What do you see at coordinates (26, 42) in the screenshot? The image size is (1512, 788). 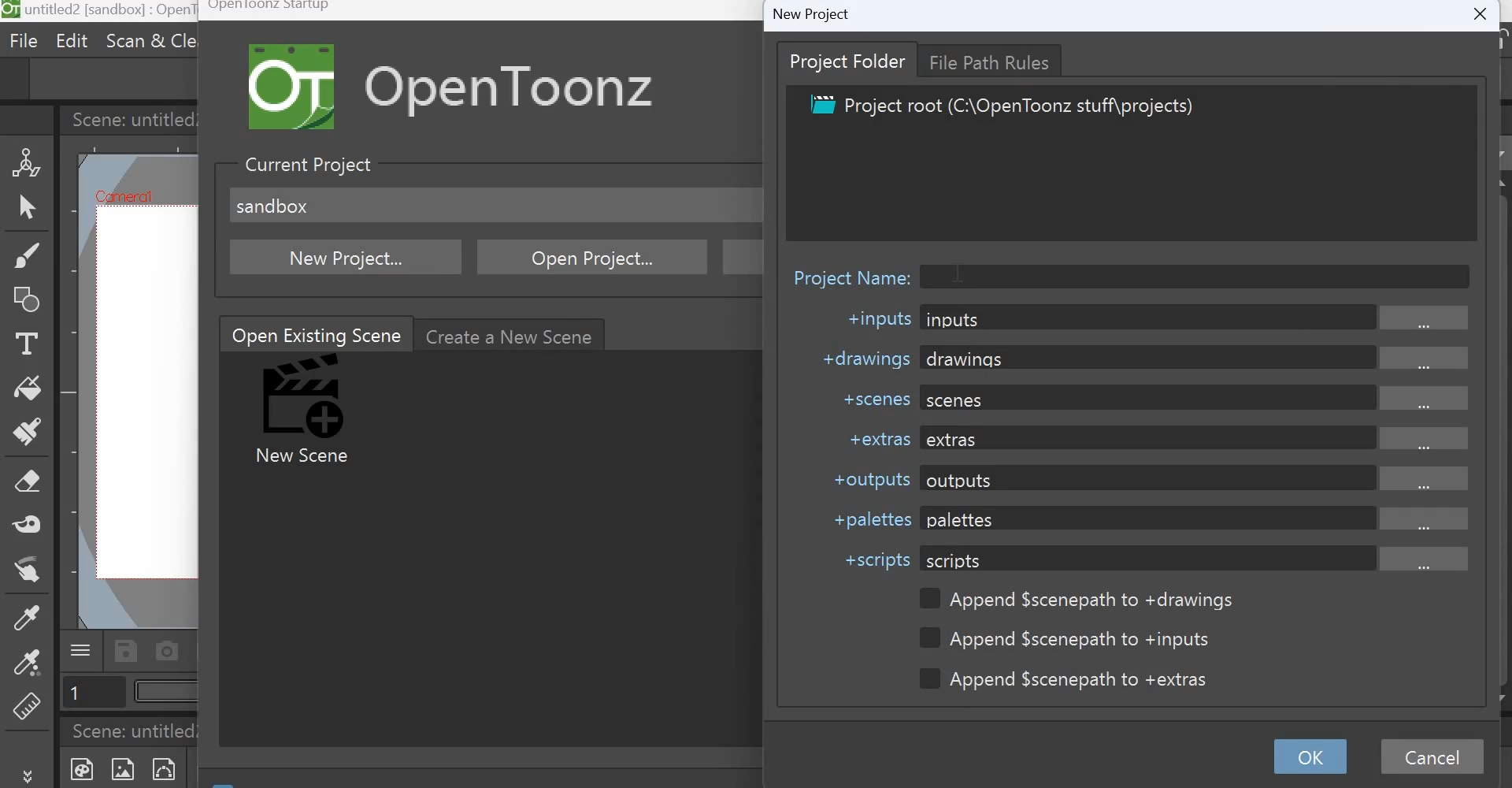 I see `File` at bounding box center [26, 42].